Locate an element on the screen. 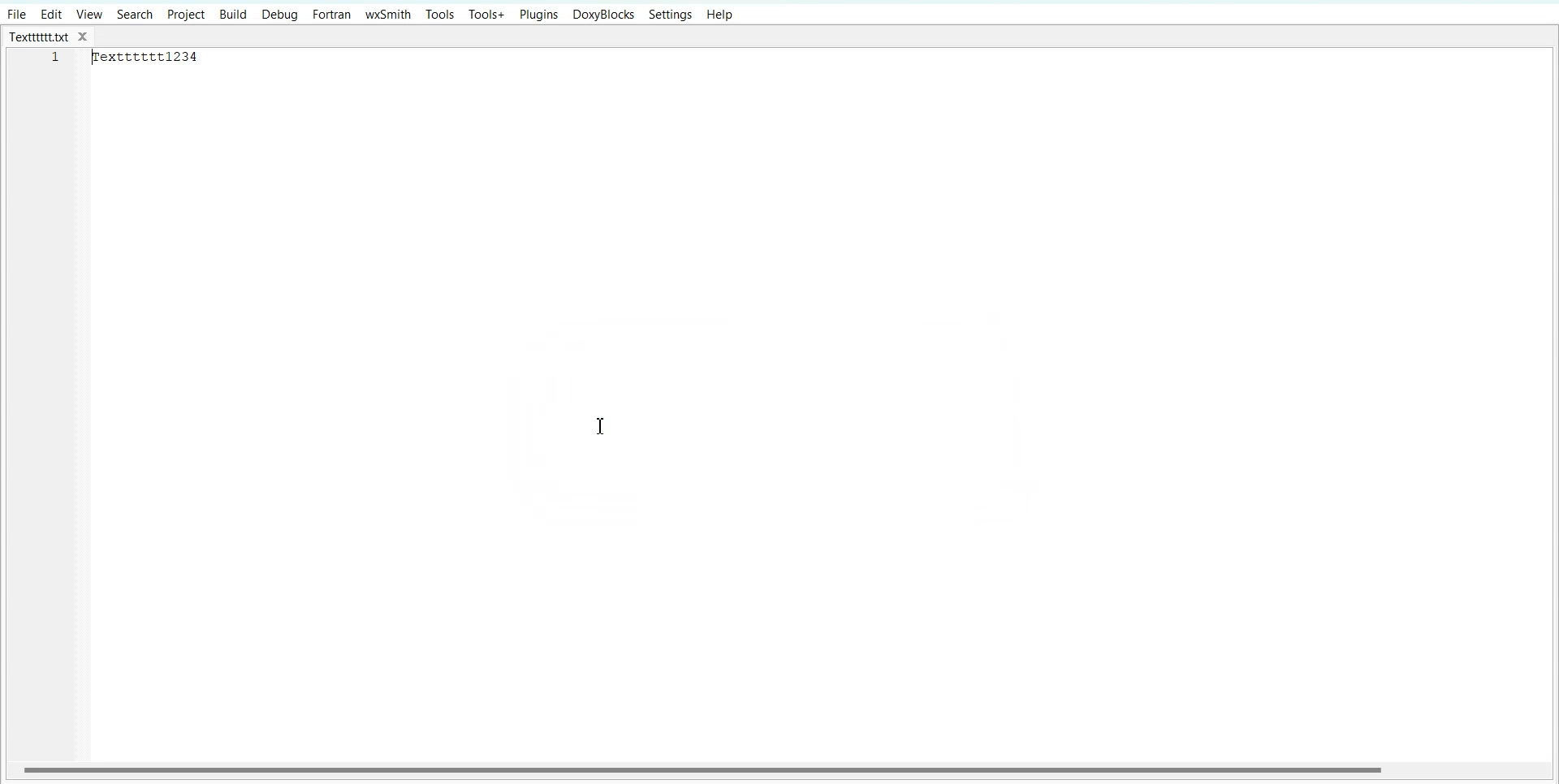  Debug is located at coordinates (279, 15).